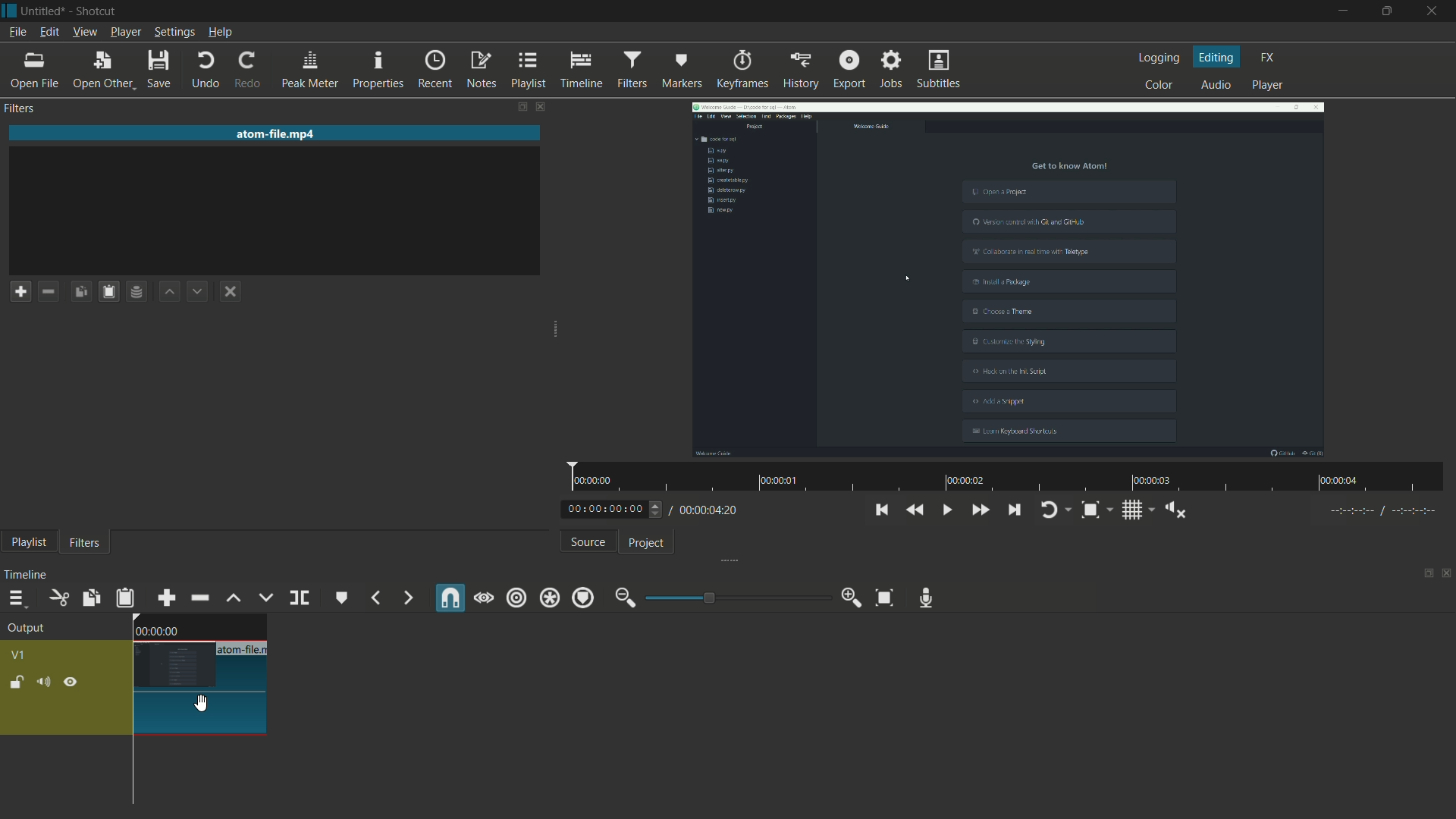 This screenshot has height=819, width=1456. I want to click on maximize, so click(1389, 11).